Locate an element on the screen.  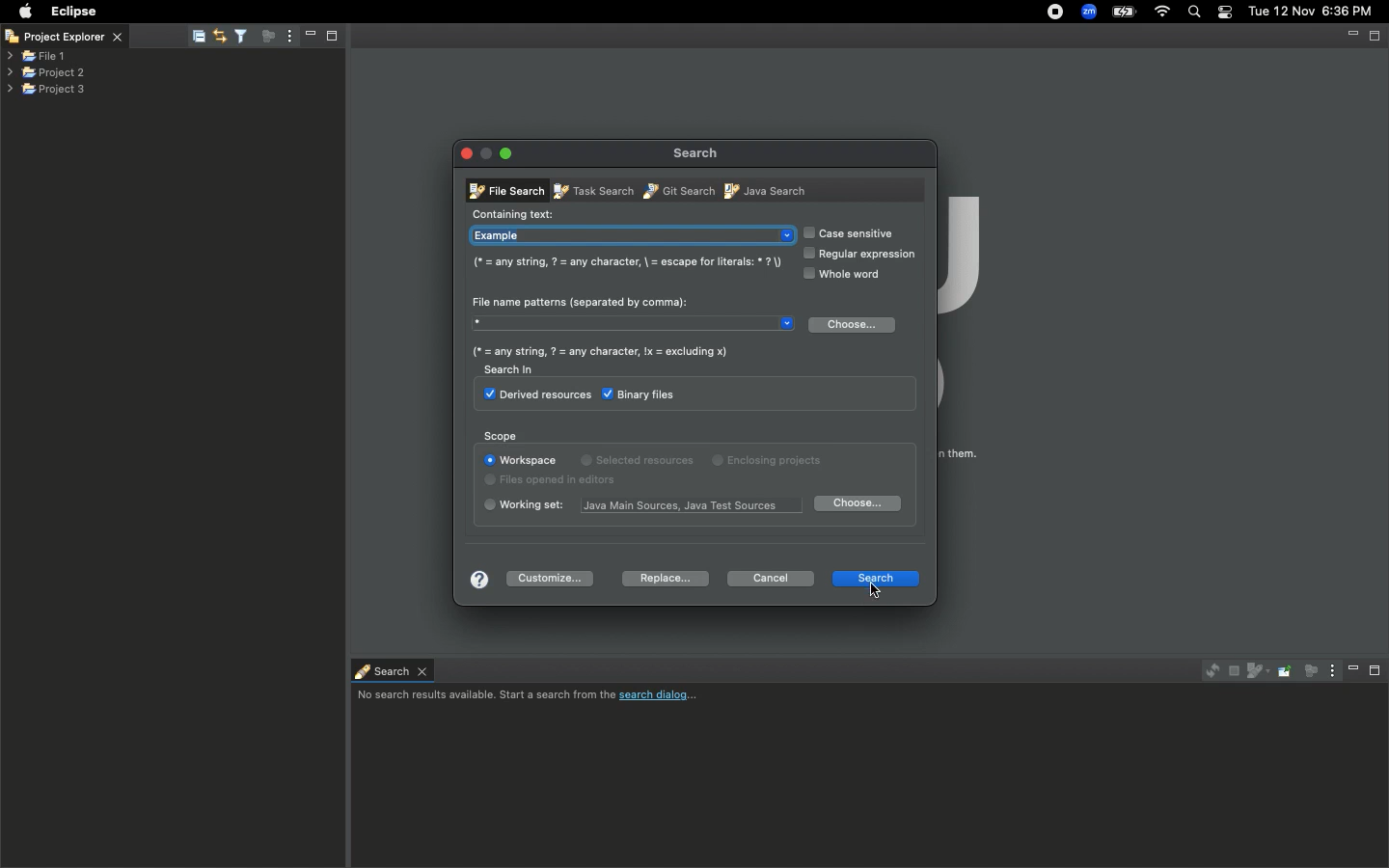
Link with editor is located at coordinates (218, 34).